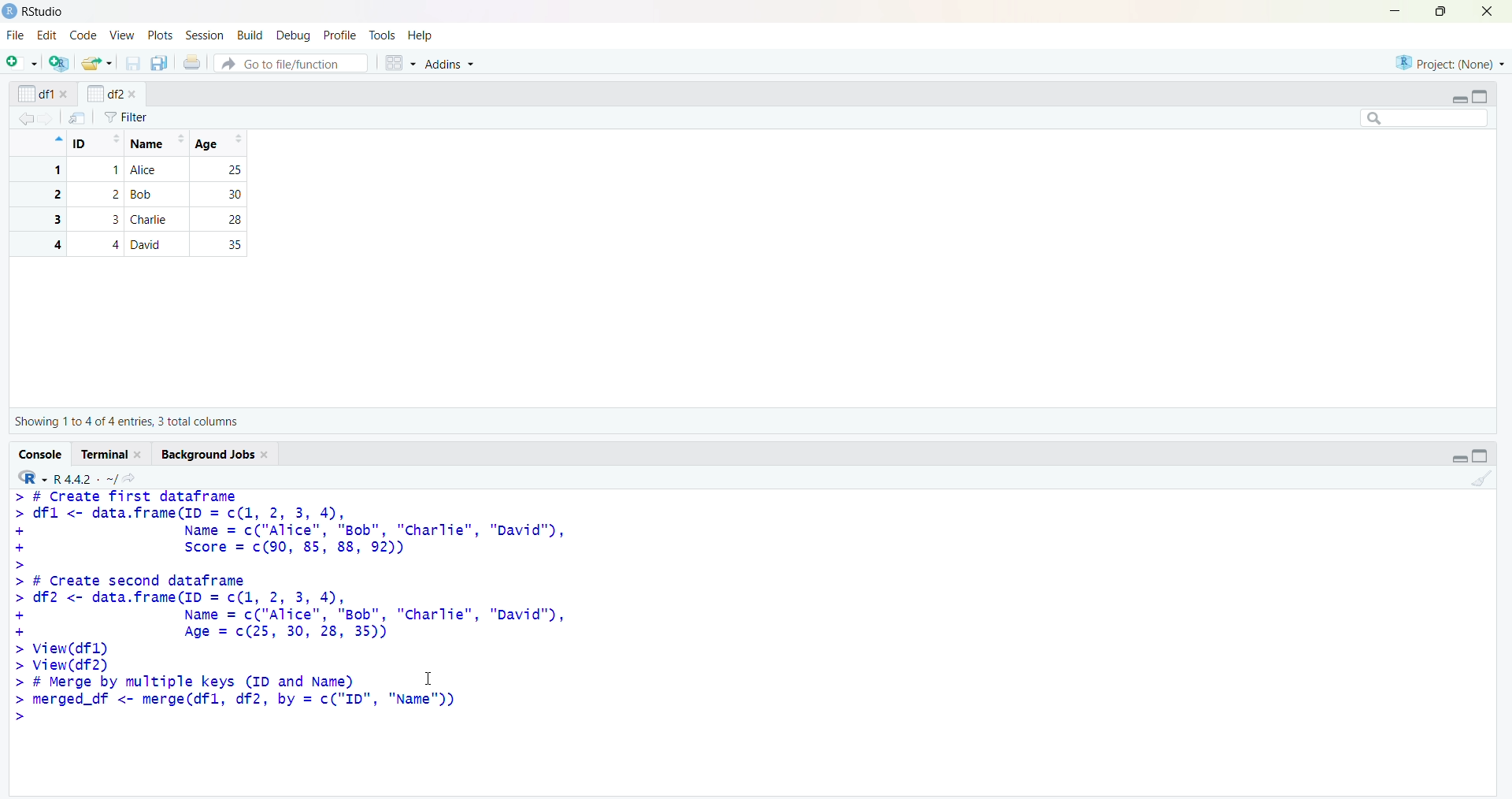 This screenshot has width=1512, height=799. What do you see at coordinates (60, 63) in the screenshot?
I see `add R file` at bounding box center [60, 63].